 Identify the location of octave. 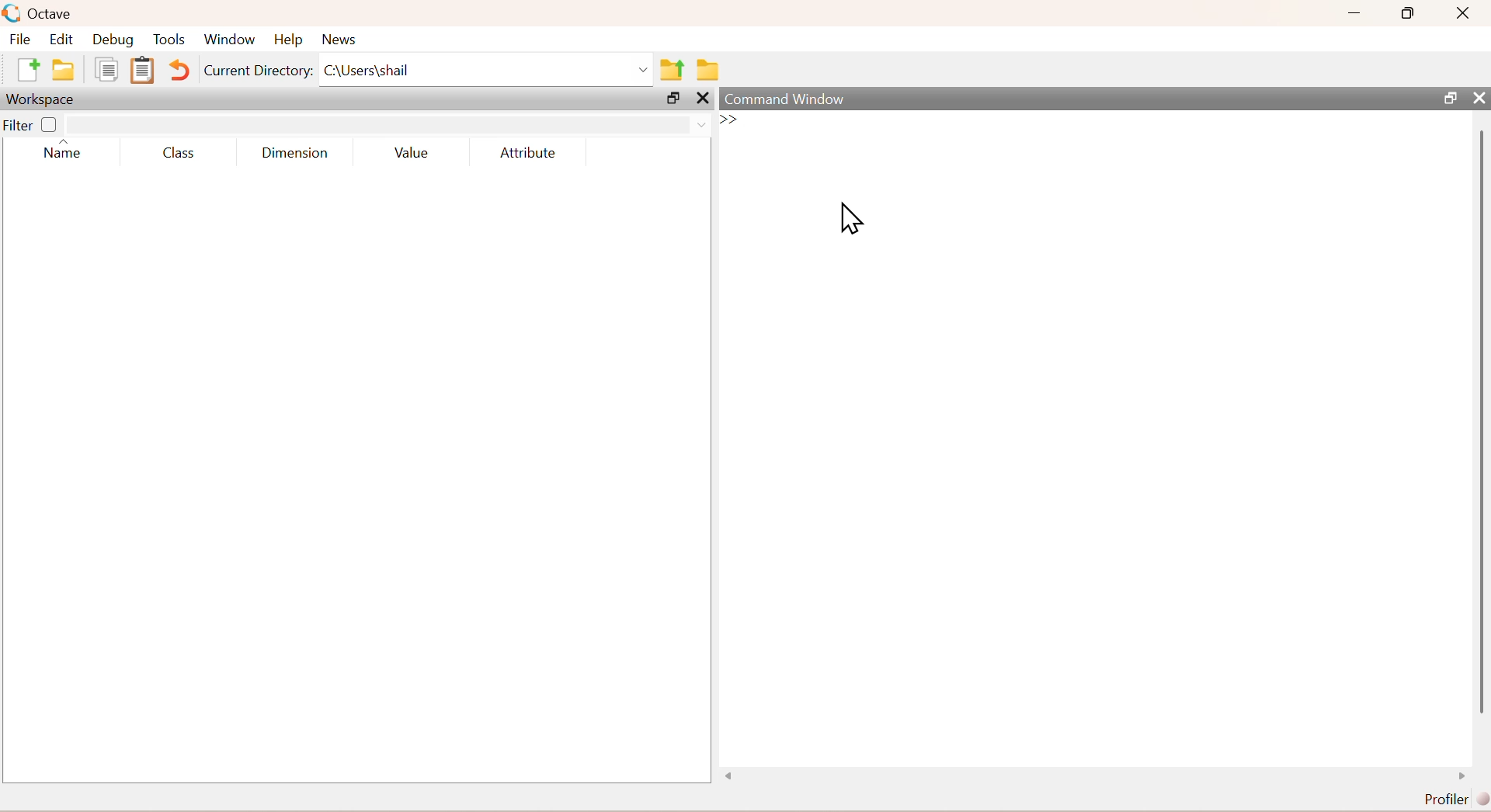
(53, 15).